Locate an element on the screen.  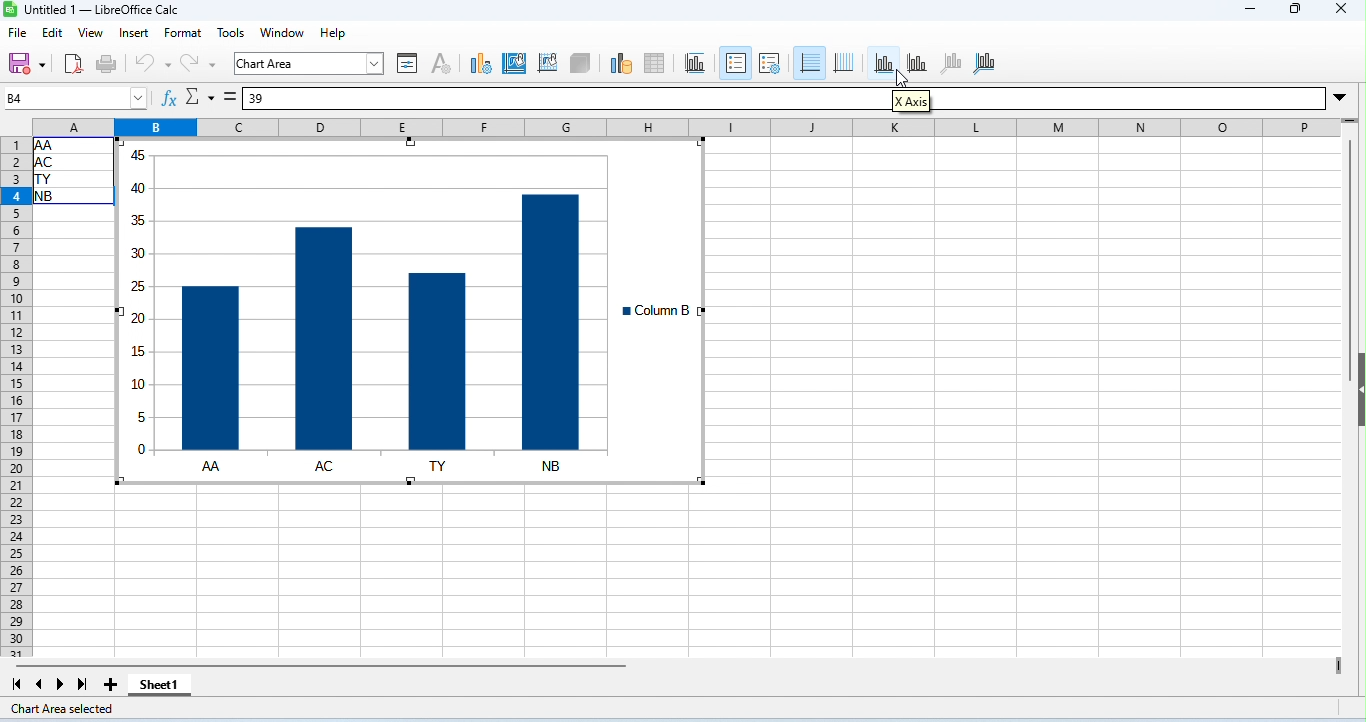
vertical grids is located at coordinates (849, 61).